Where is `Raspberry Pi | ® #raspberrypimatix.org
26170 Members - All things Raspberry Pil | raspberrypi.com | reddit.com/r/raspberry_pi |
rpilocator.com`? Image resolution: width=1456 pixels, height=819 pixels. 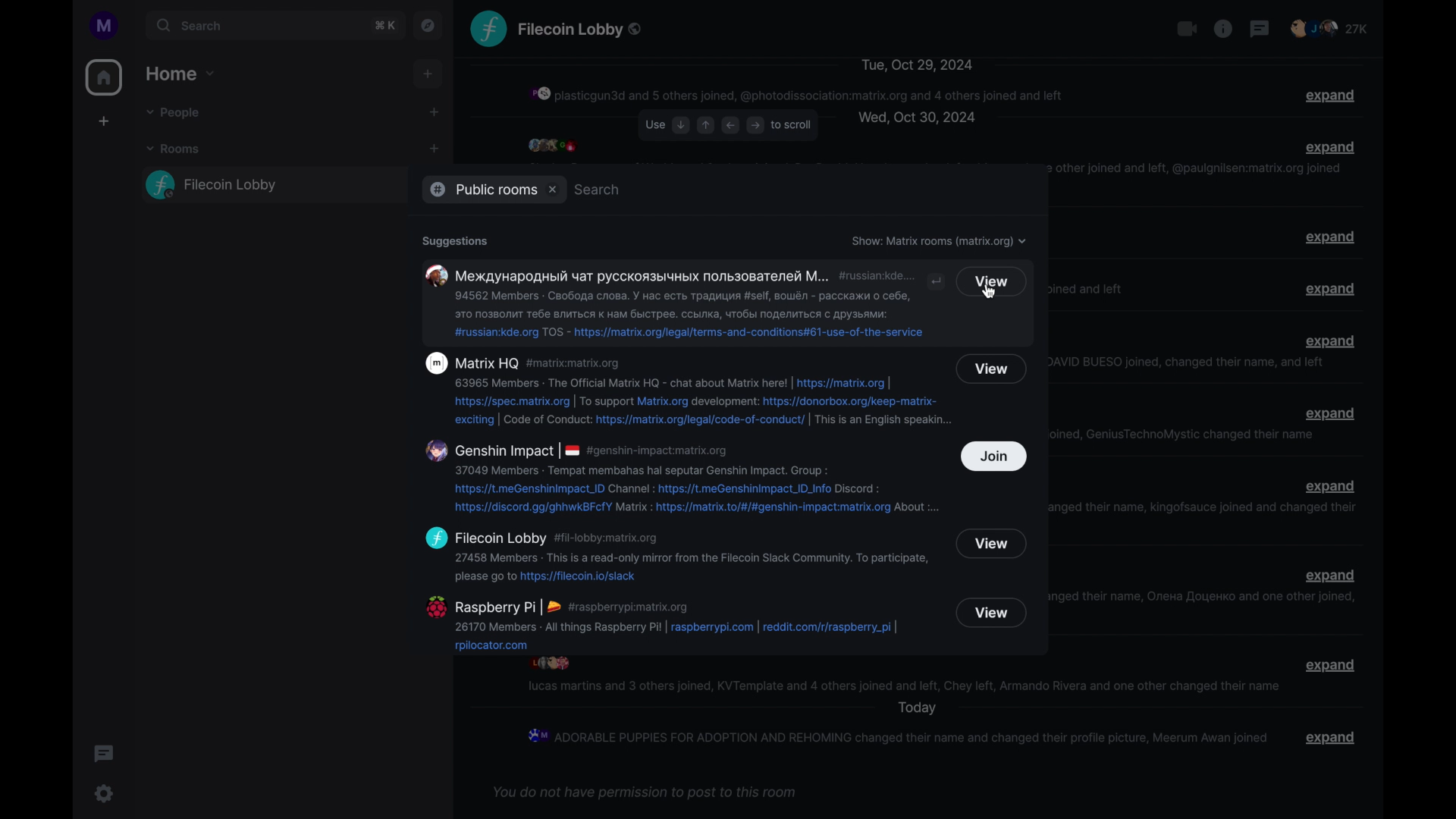 Raspberry Pi | ® #raspberrypimatix.org
26170 Members - All things Raspberry Pil | raspberrypi.com | reddit.com/r/raspberry_pi |
rpilocator.com is located at coordinates (675, 623).